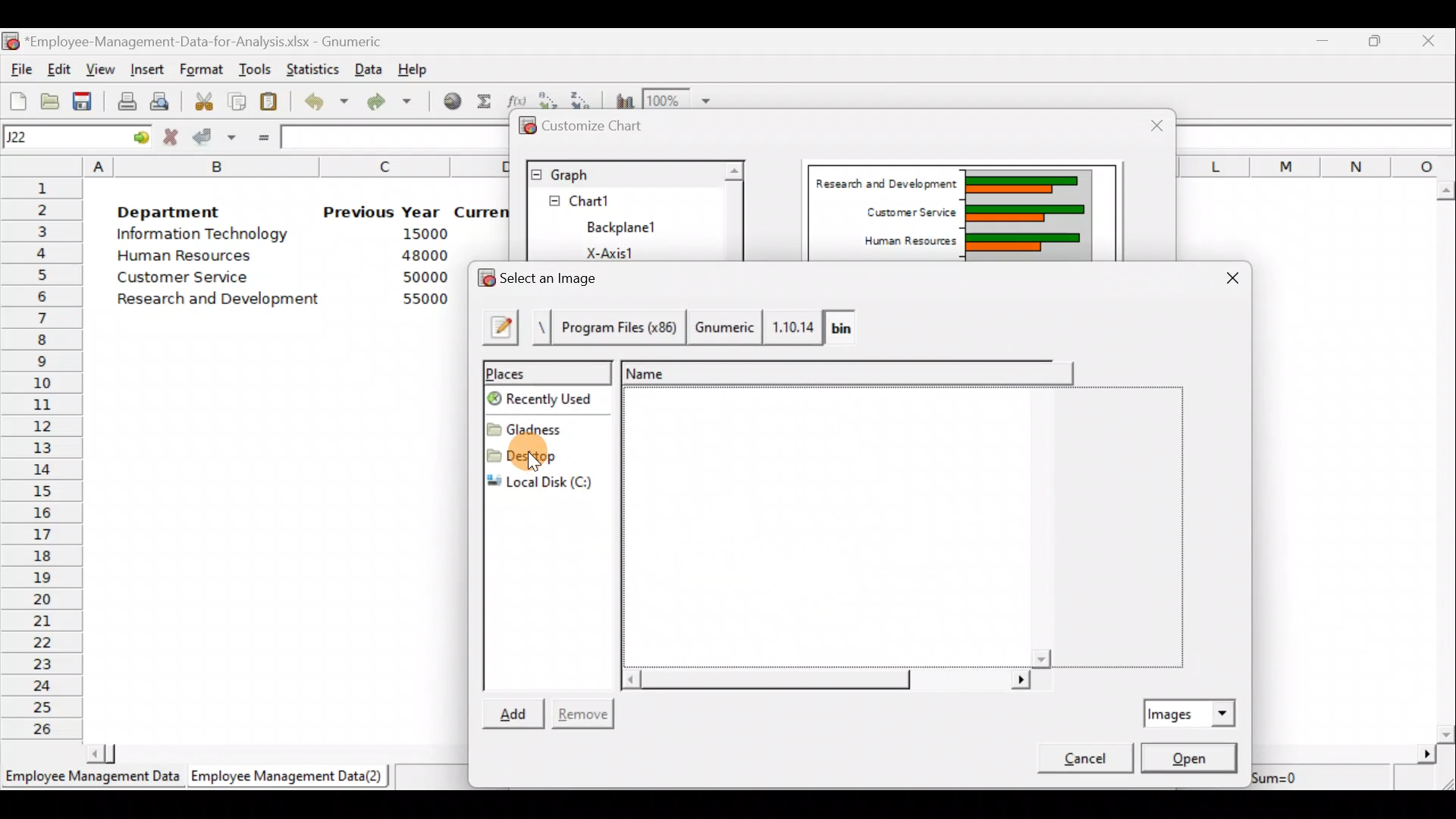 The image size is (1456, 819). I want to click on Scroll bar, so click(1043, 529).